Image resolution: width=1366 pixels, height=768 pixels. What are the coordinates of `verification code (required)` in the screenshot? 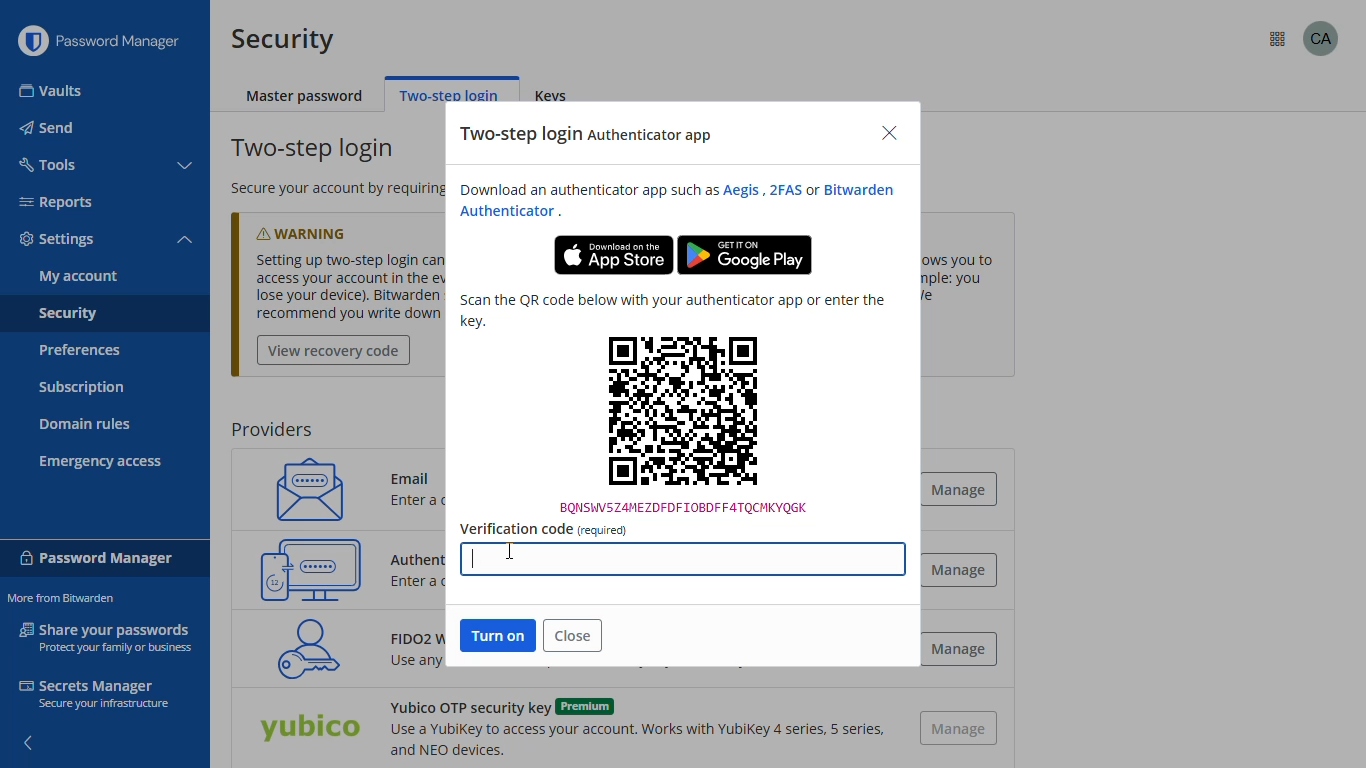 It's located at (543, 529).